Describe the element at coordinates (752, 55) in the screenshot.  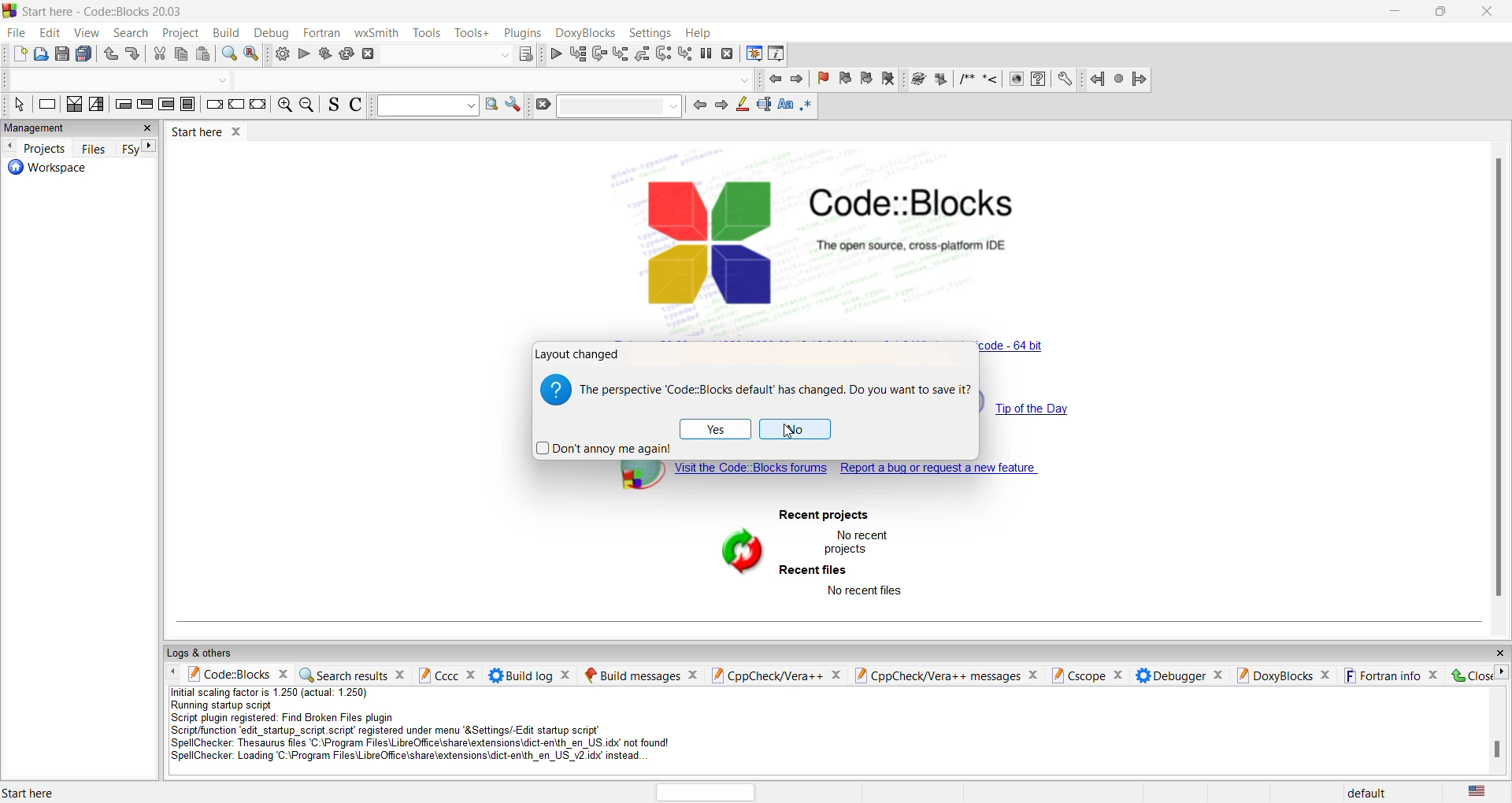
I see `debugger windows` at that location.